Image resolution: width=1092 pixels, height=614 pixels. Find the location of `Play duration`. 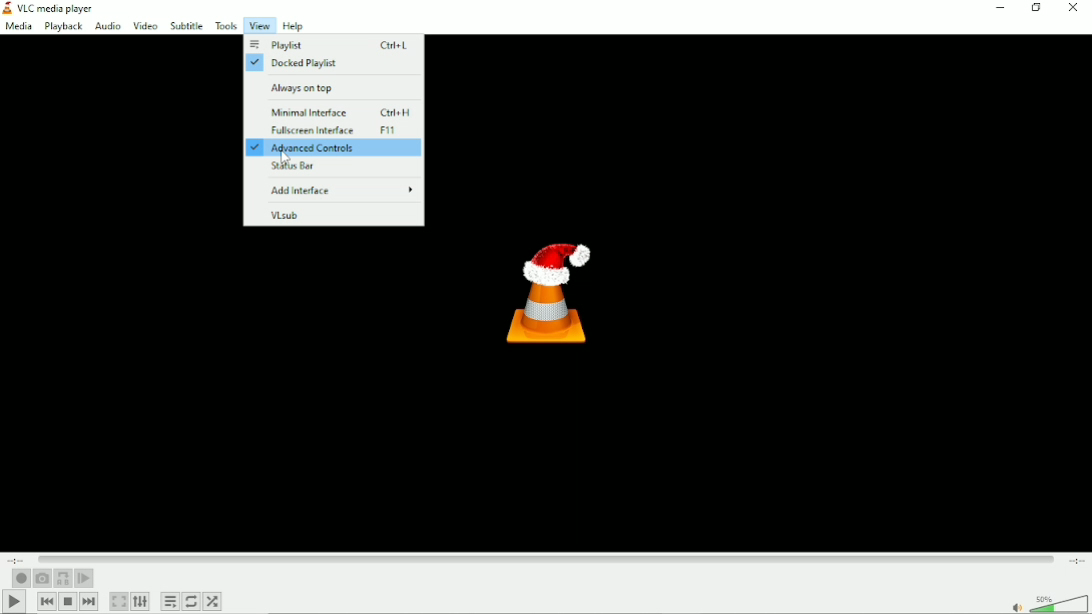

Play duration is located at coordinates (547, 556).